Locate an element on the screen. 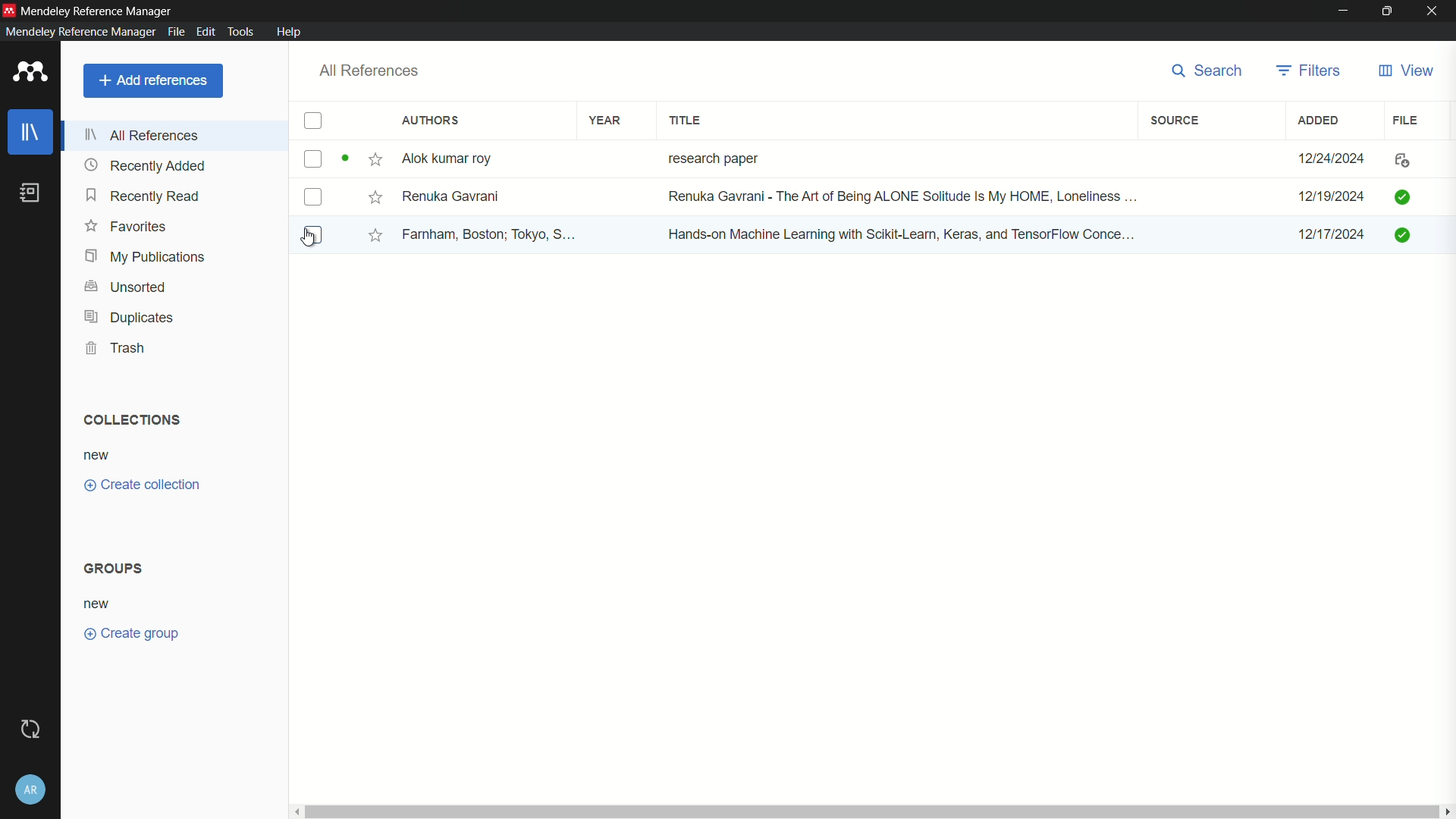 Image resolution: width=1456 pixels, height=819 pixels. star is located at coordinates (375, 162).